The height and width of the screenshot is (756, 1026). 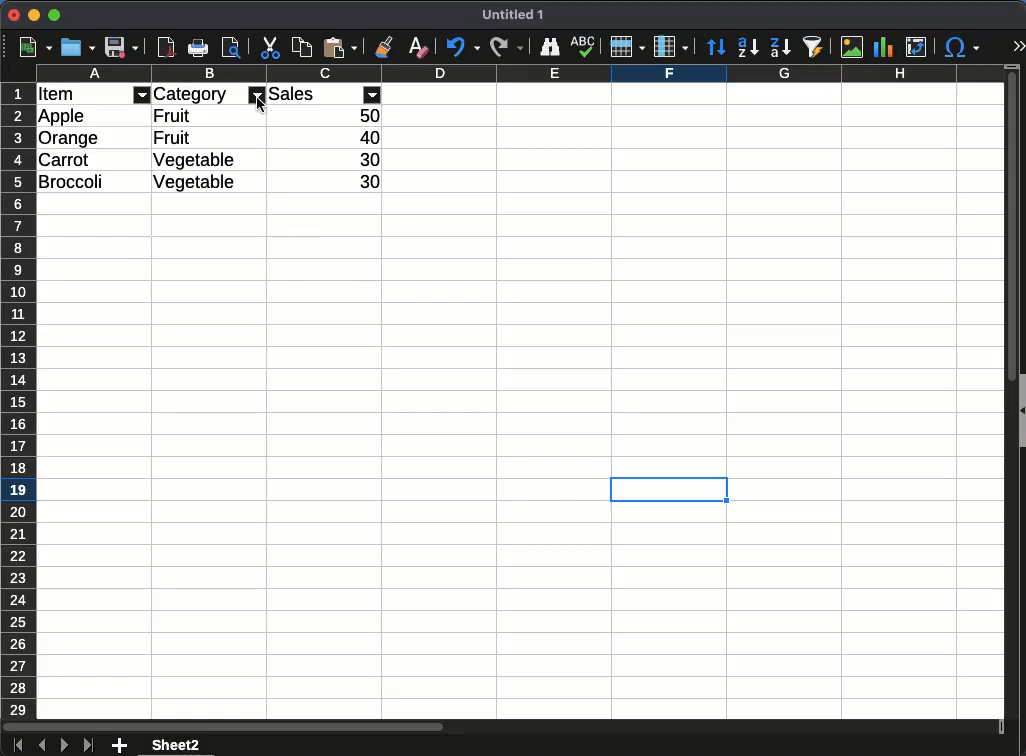 I want to click on last sheet, so click(x=88, y=746).